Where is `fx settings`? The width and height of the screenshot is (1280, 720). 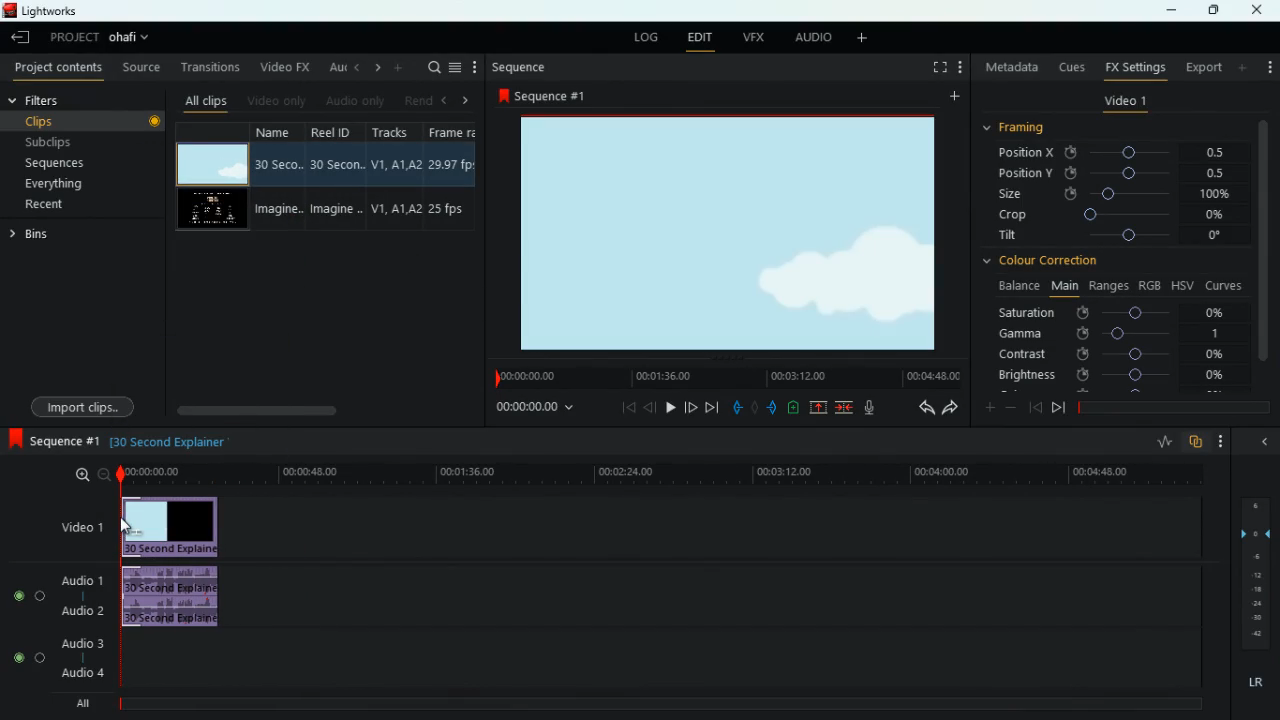
fx settings is located at coordinates (1133, 67).